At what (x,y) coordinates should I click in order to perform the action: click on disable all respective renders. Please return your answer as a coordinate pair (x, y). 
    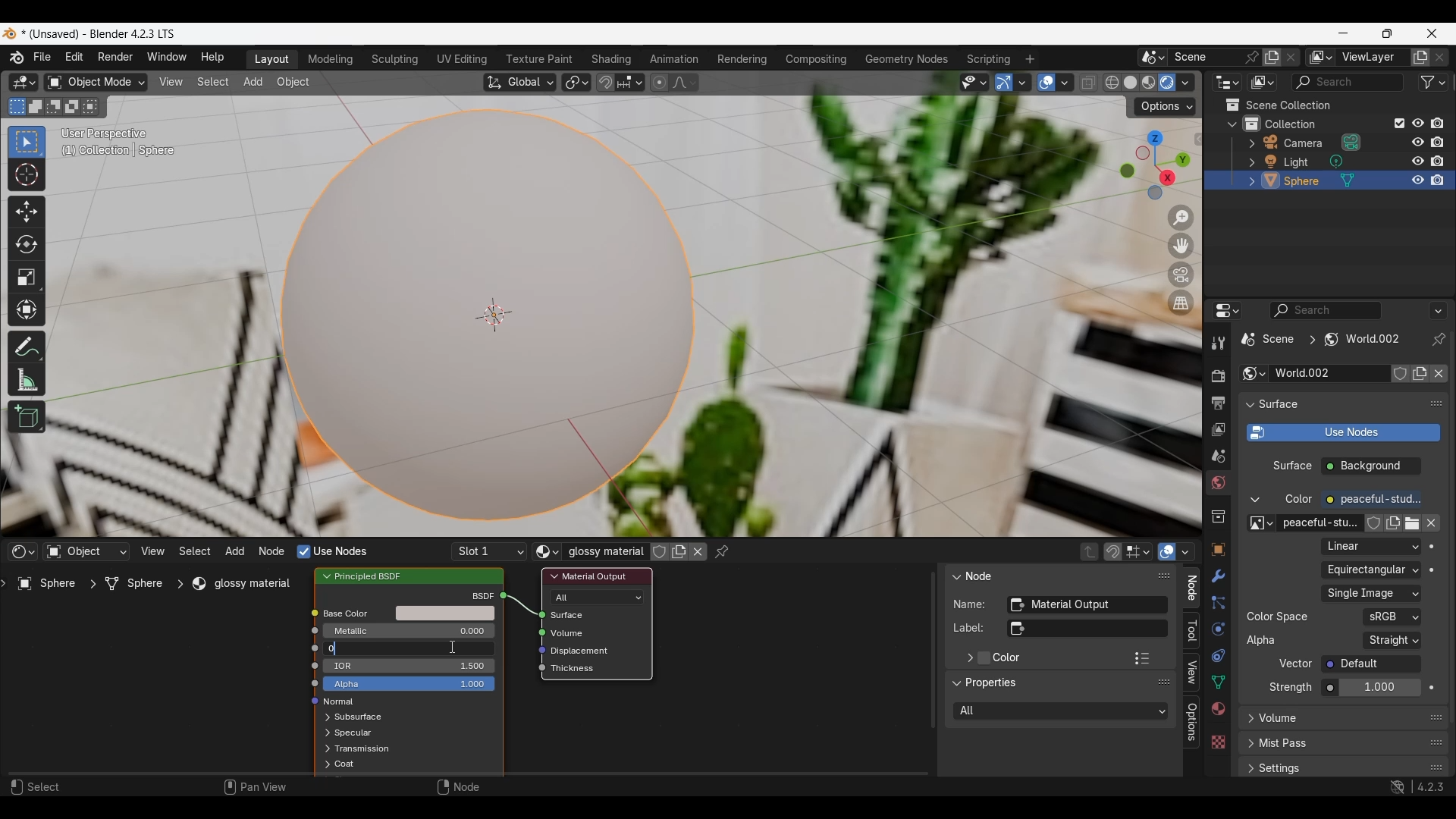
    Looking at the image, I should click on (1443, 180).